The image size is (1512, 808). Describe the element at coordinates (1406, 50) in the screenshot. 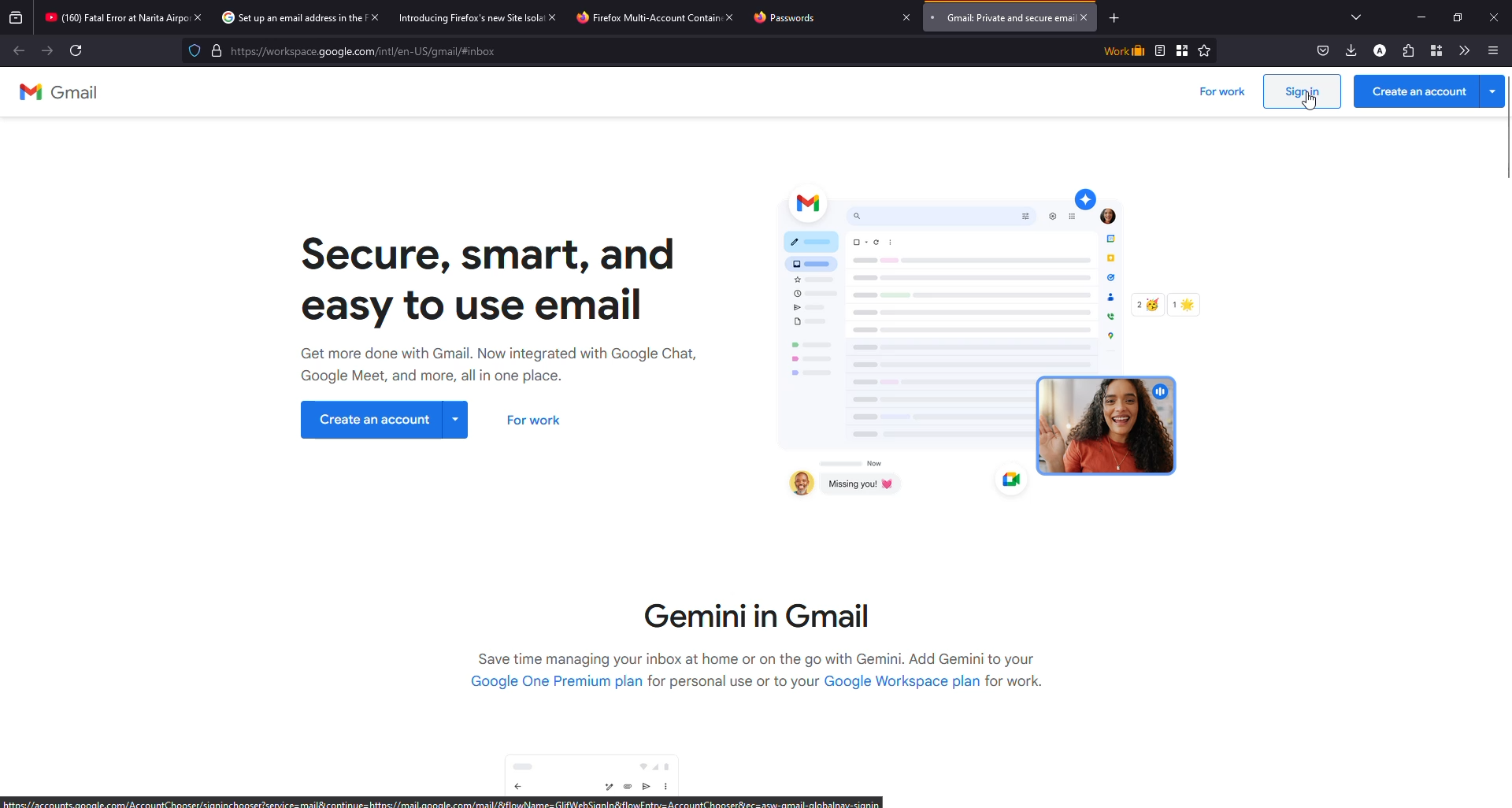

I see `extensions` at that location.